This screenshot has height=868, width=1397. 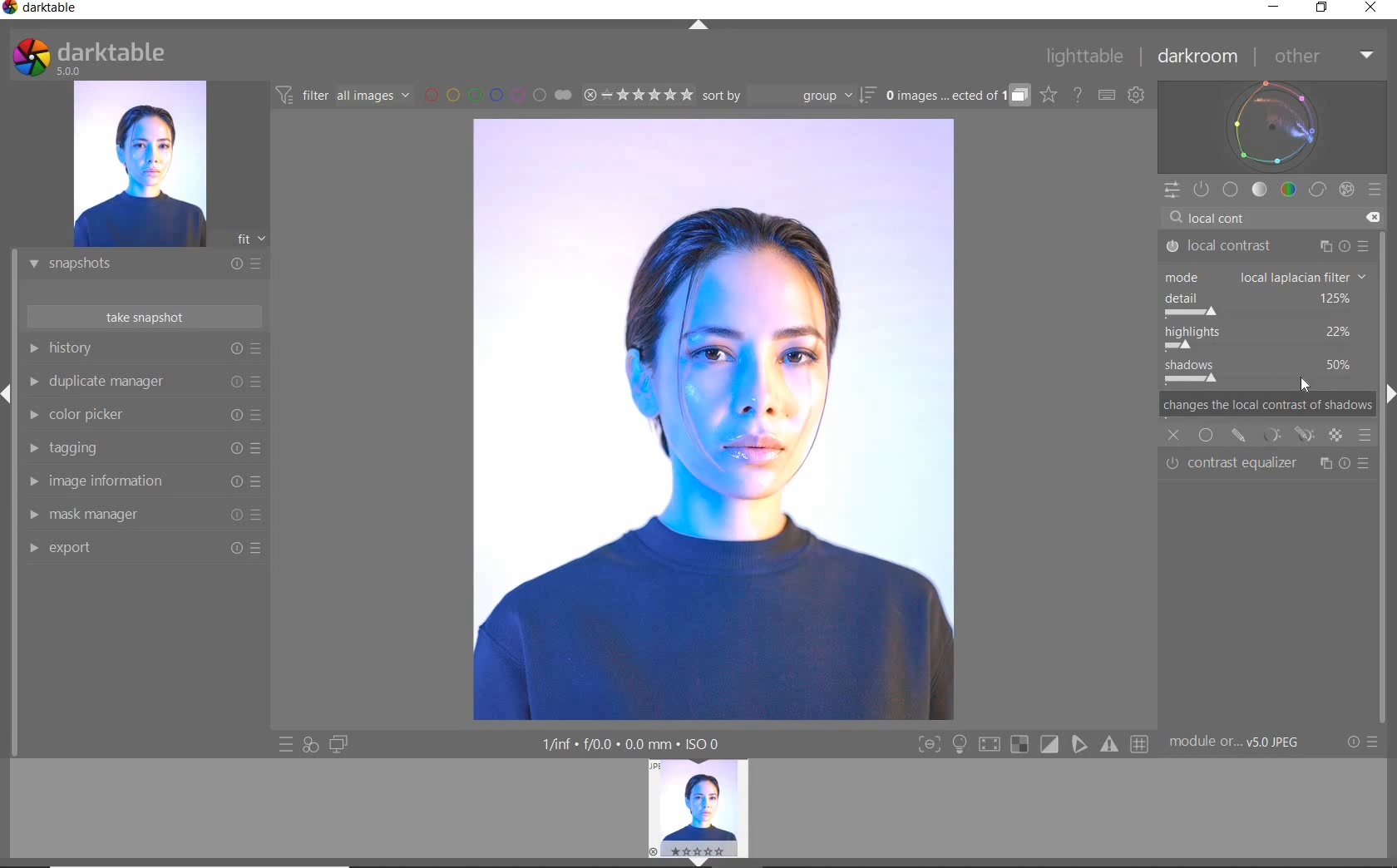 What do you see at coordinates (698, 808) in the screenshot?
I see `IMAGE PREVIEW` at bounding box center [698, 808].